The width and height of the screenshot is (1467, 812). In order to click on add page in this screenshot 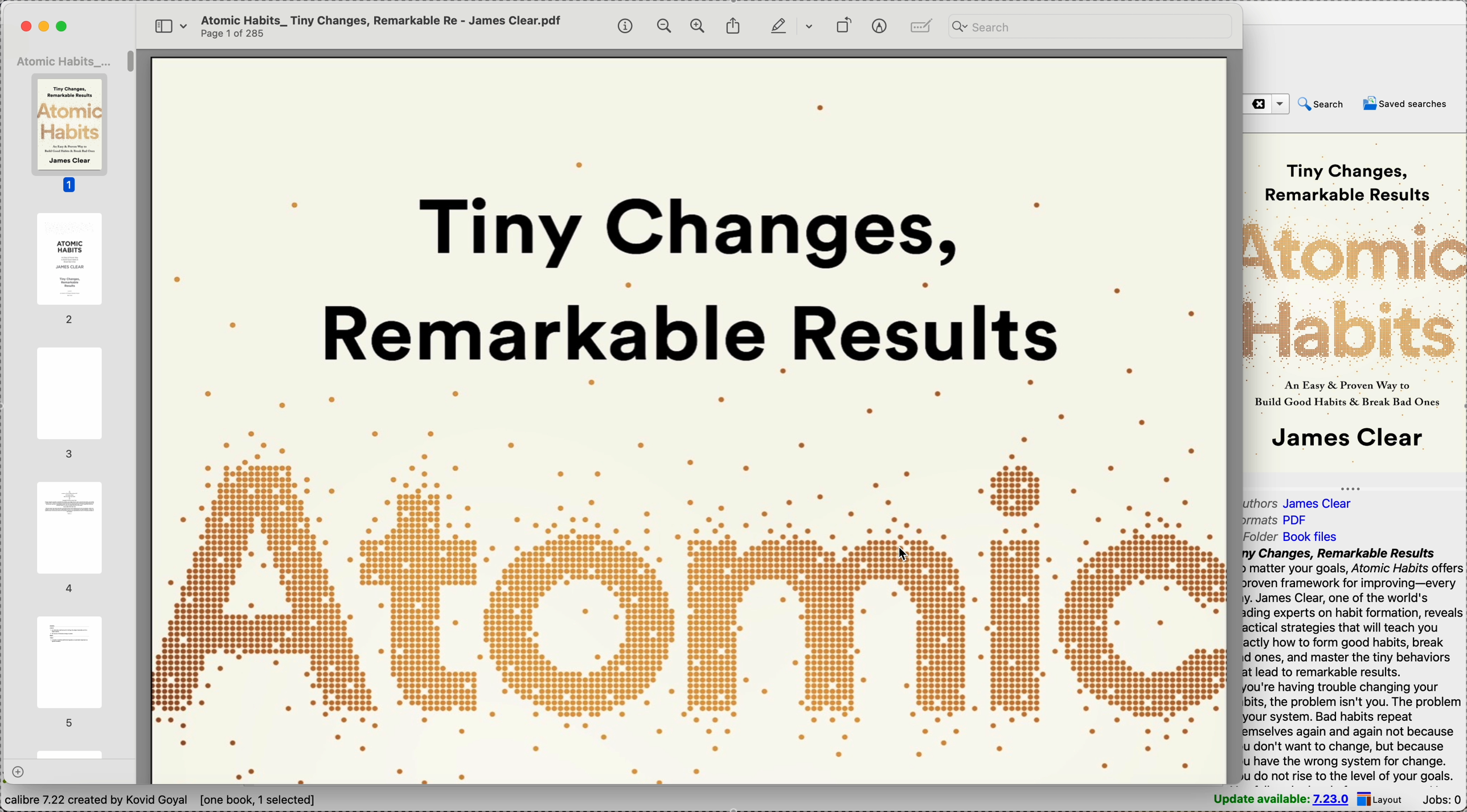, I will do `click(19, 772)`.